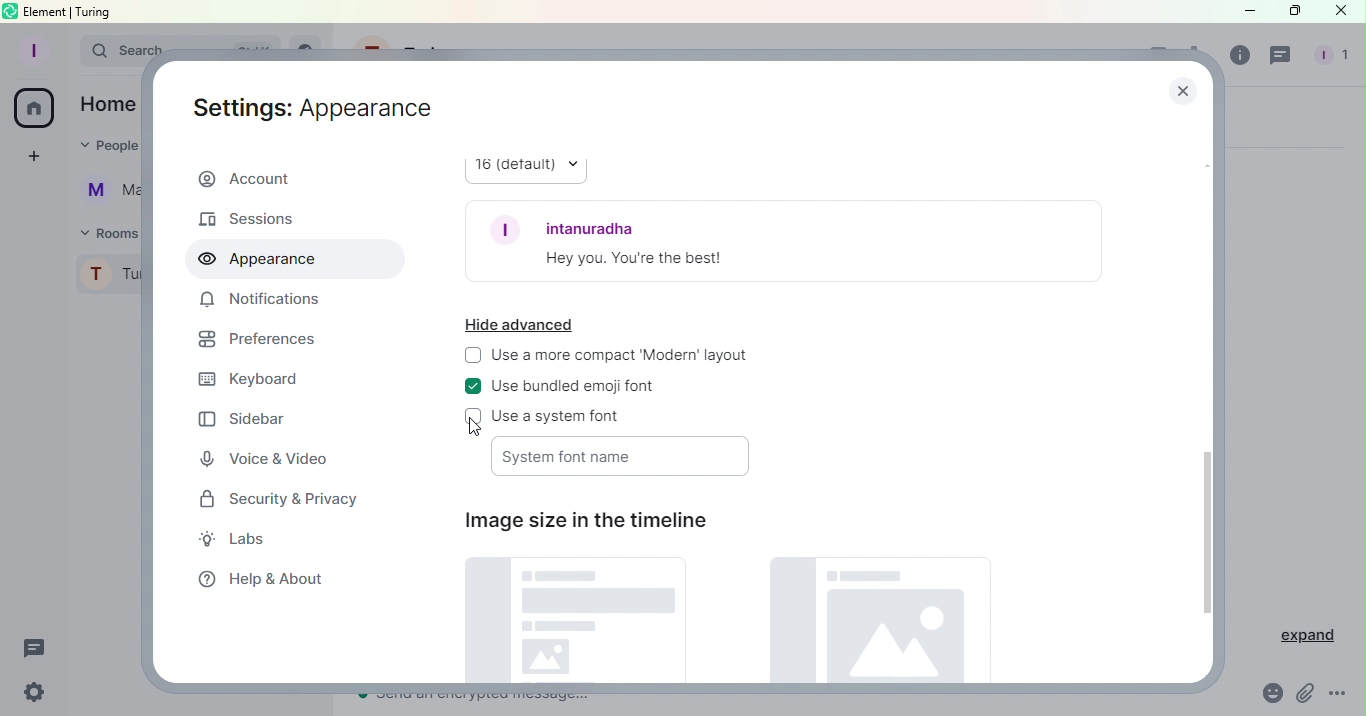 Image resolution: width=1366 pixels, height=716 pixels. Describe the element at coordinates (34, 156) in the screenshot. I see `Create a space` at that location.